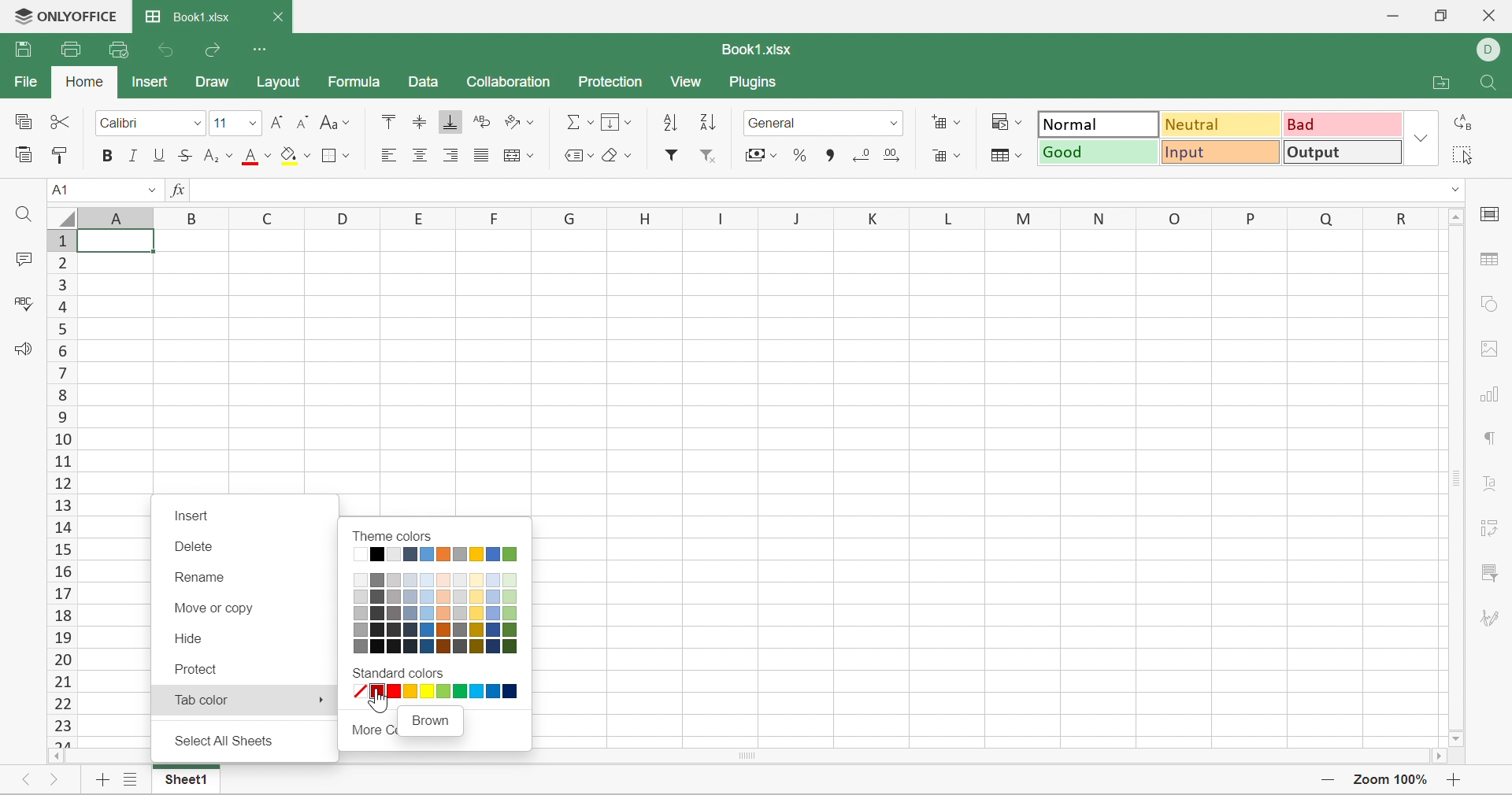 This screenshot has height=795, width=1512. I want to click on Zoom in, so click(1455, 782).